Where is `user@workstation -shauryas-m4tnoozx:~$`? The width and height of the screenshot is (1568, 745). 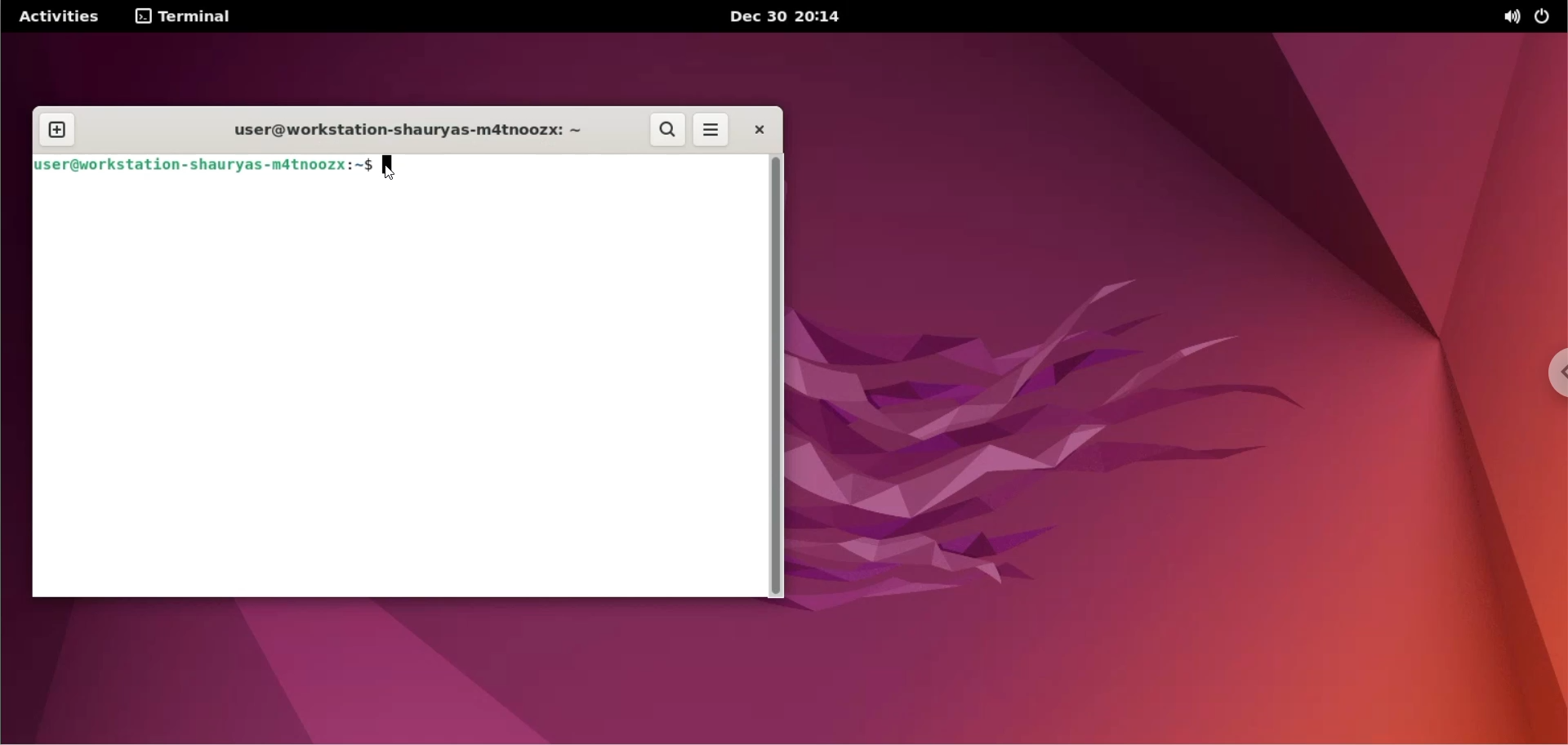
user@workstation -shauryas-m4tnoozx:~$ is located at coordinates (202, 167).